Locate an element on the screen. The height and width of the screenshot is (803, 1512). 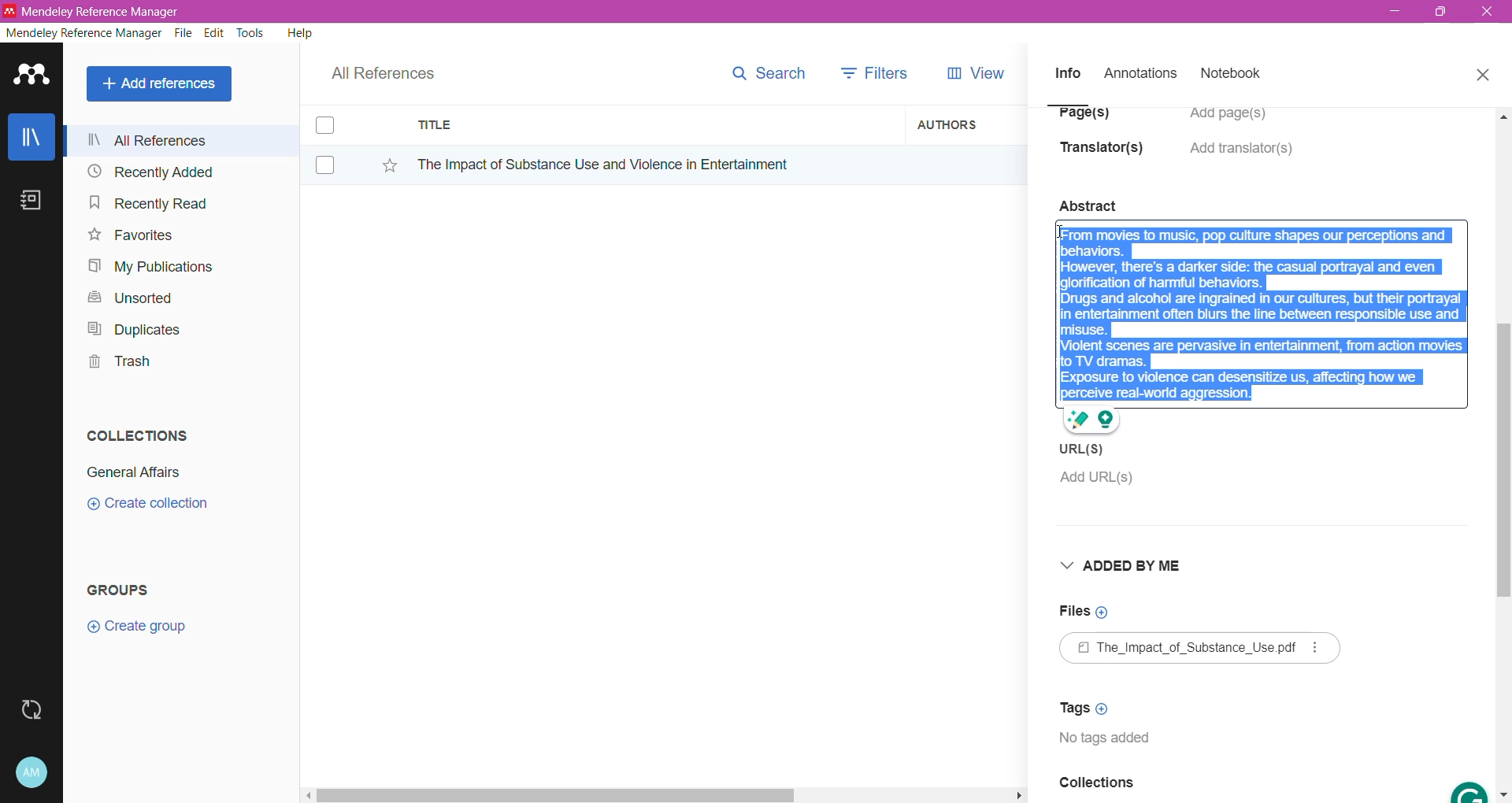
Info is located at coordinates (1067, 72).